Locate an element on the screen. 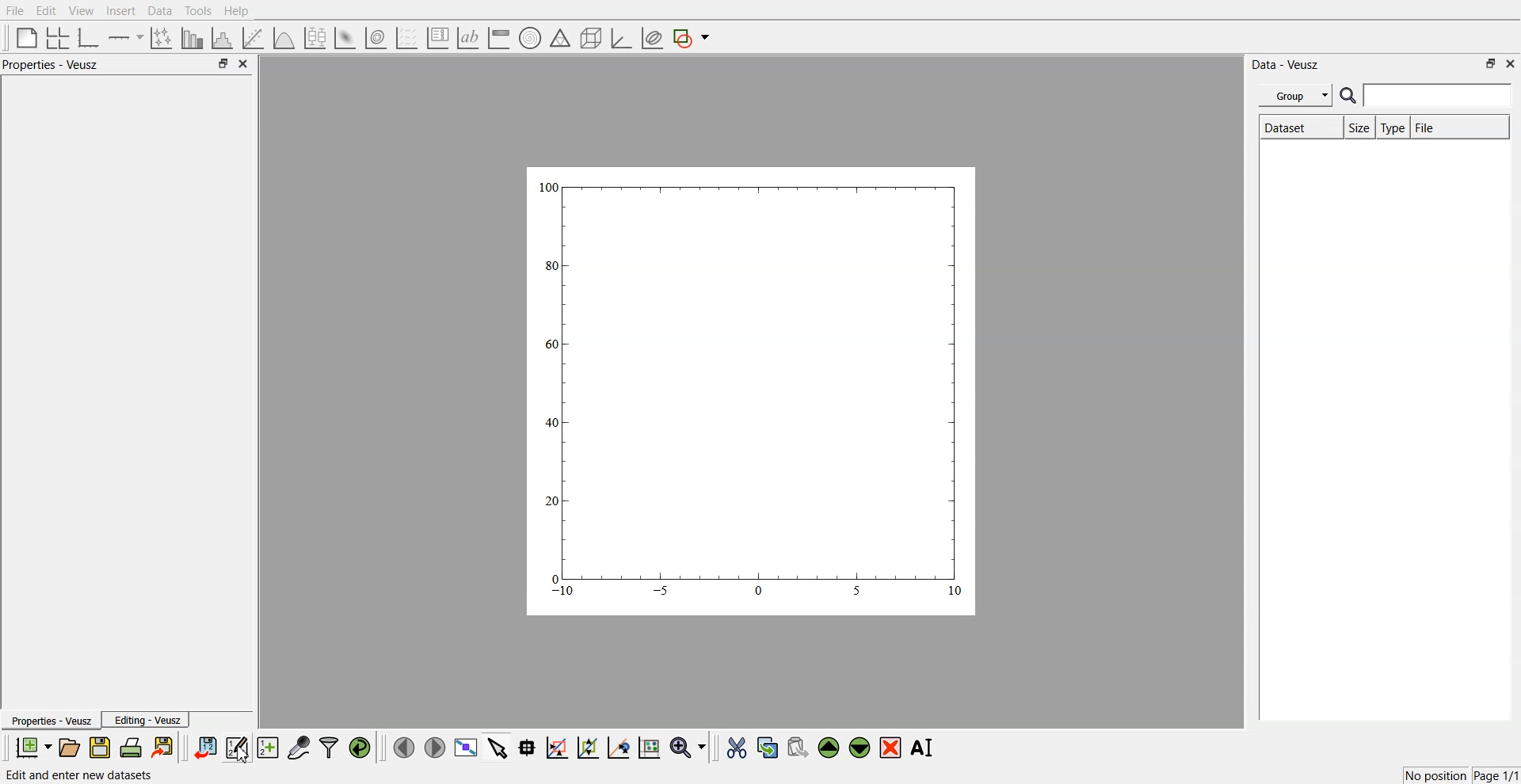 The width and height of the screenshot is (1521, 784). graphs charts is located at coordinates (750, 390).